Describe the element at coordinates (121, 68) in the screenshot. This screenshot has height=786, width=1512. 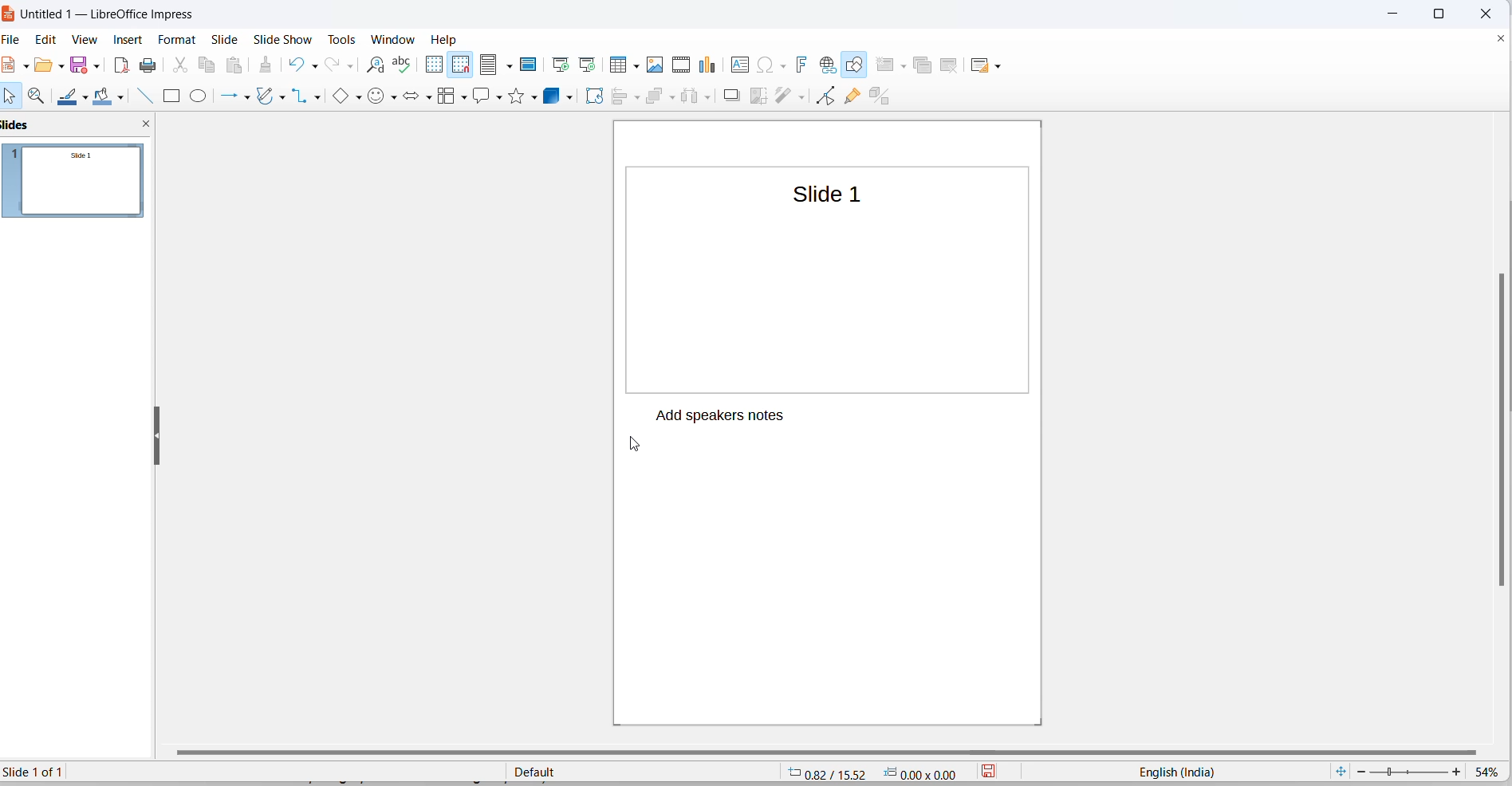
I see `export as pdf` at that location.